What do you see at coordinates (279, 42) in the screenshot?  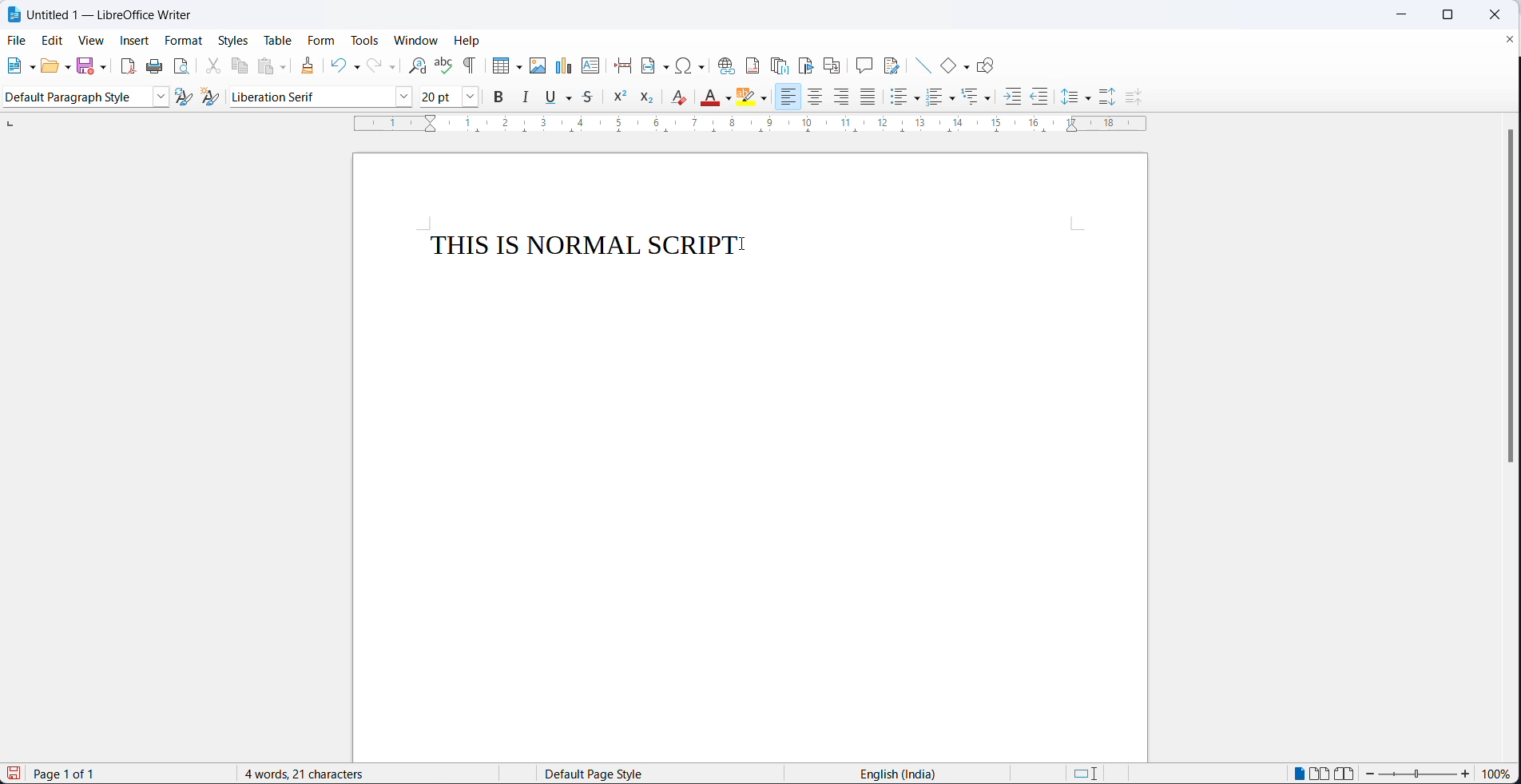 I see `table` at bounding box center [279, 42].